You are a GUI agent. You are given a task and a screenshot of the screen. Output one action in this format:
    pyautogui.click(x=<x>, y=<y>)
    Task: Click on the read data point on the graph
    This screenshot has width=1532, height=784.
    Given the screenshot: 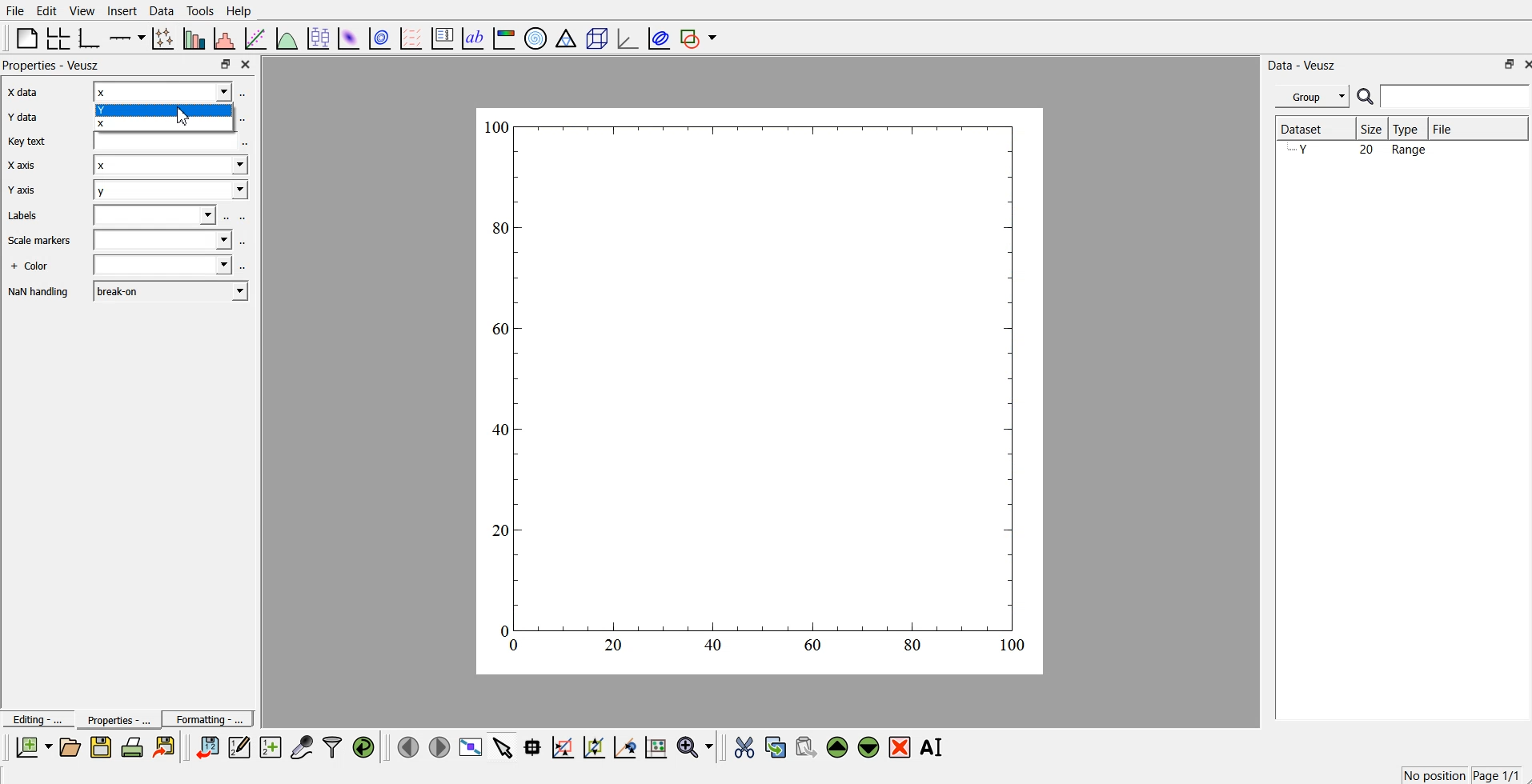 What is the action you would take?
    pyautogui.click(x=534, y=746)
    